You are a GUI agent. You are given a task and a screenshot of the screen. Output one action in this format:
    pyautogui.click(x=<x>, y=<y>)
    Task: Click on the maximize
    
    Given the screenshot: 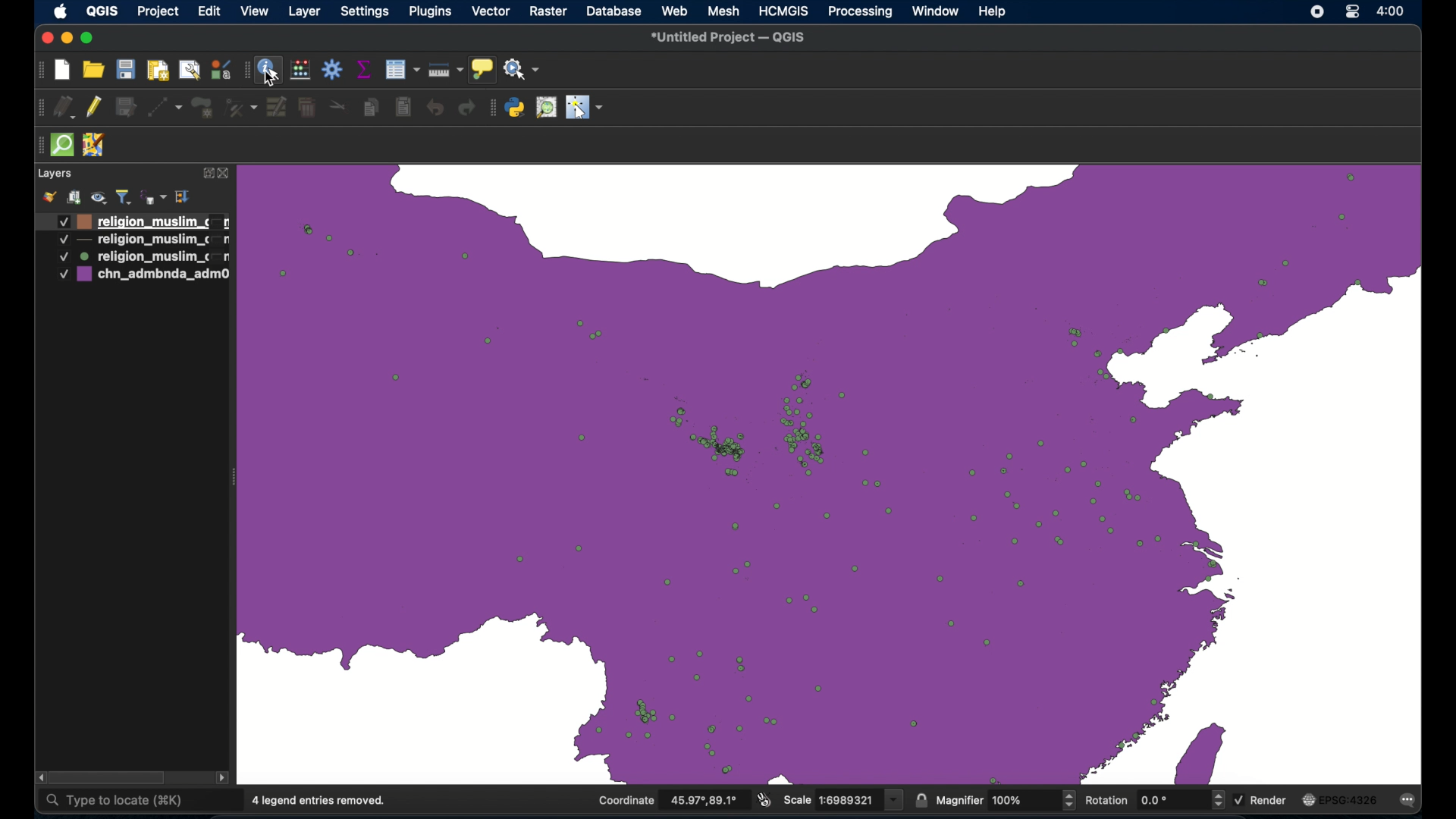 What is the action you would take?
    pyautogui.click(x=89, y=39)
    